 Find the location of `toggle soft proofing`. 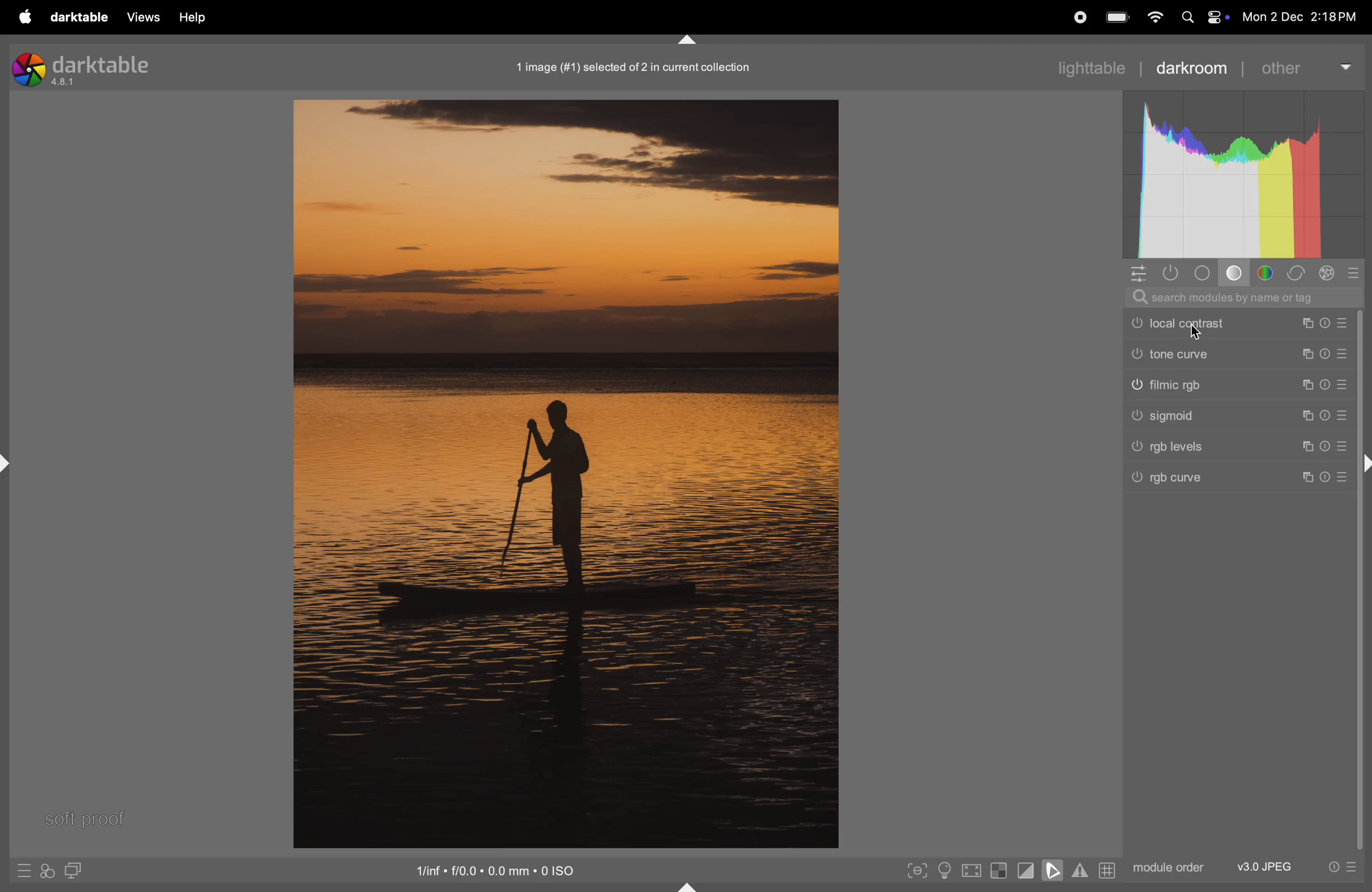

toggle soft proofing is located at coordinates (1051, 869).